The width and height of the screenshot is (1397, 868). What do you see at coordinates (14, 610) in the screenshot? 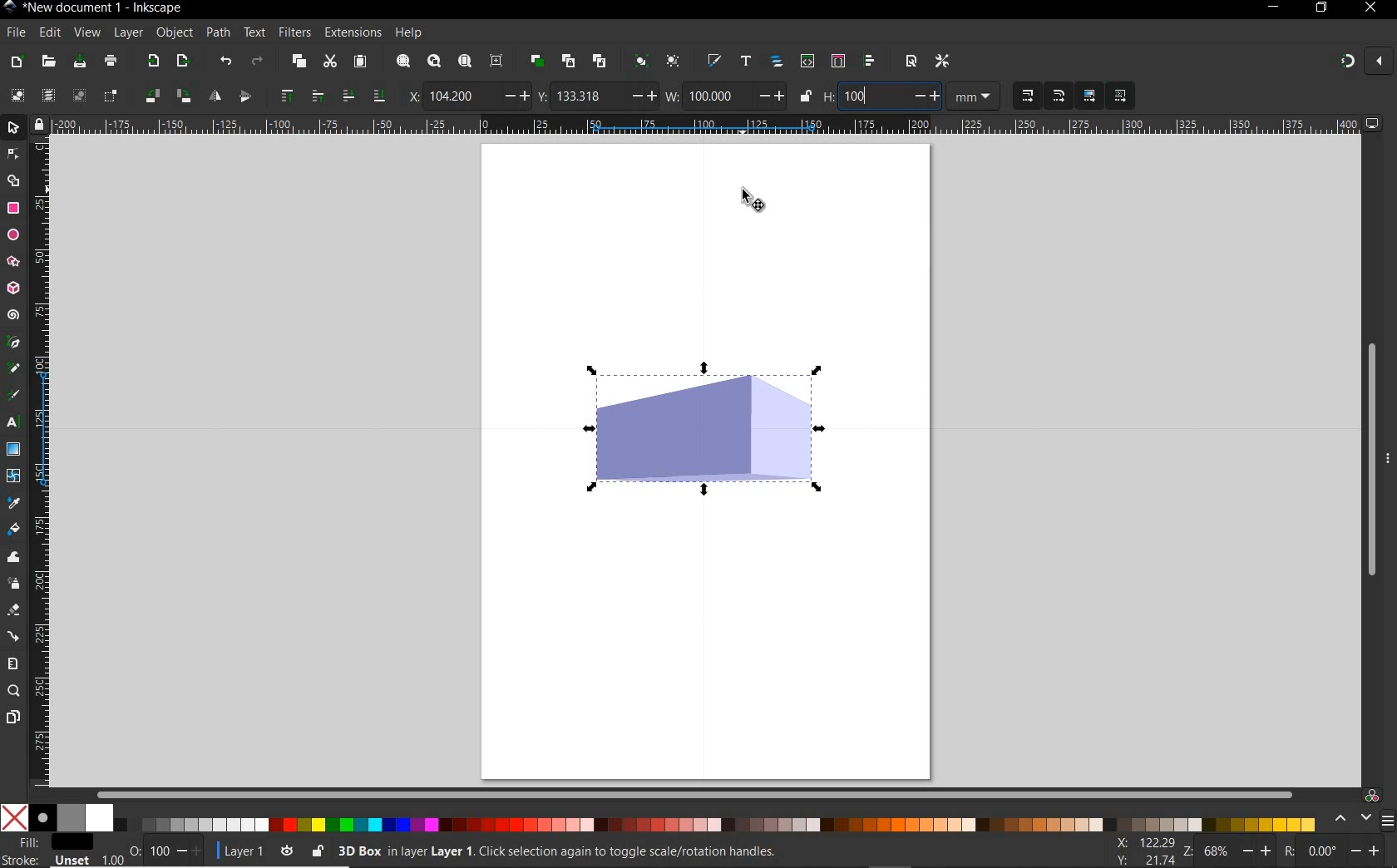
I see `eraser tool` at bounding box center [14, 610].